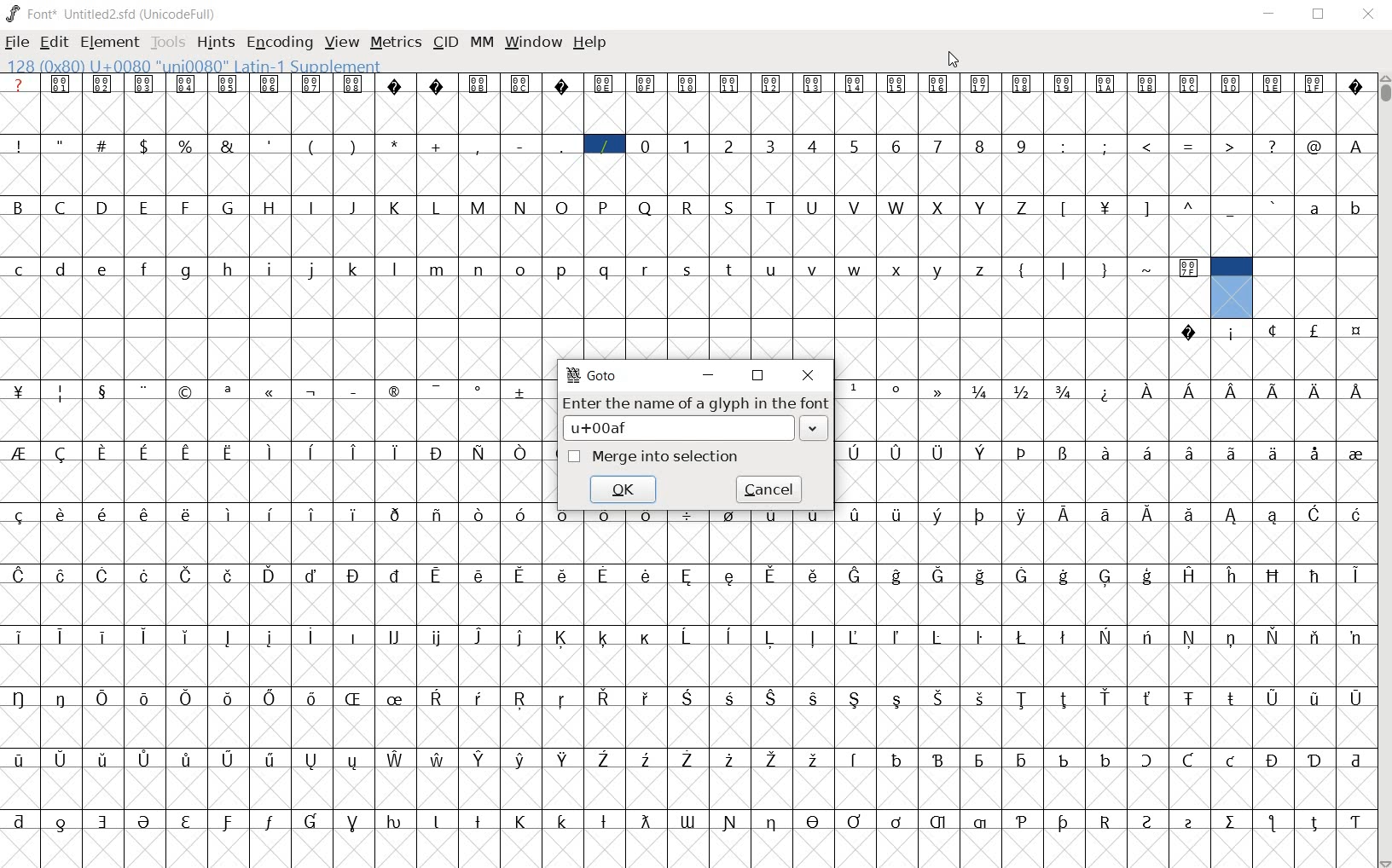  What do you see at coordinates (1317, 147) in the screenshot?
I see `@` at bounding box center [1317, 147].